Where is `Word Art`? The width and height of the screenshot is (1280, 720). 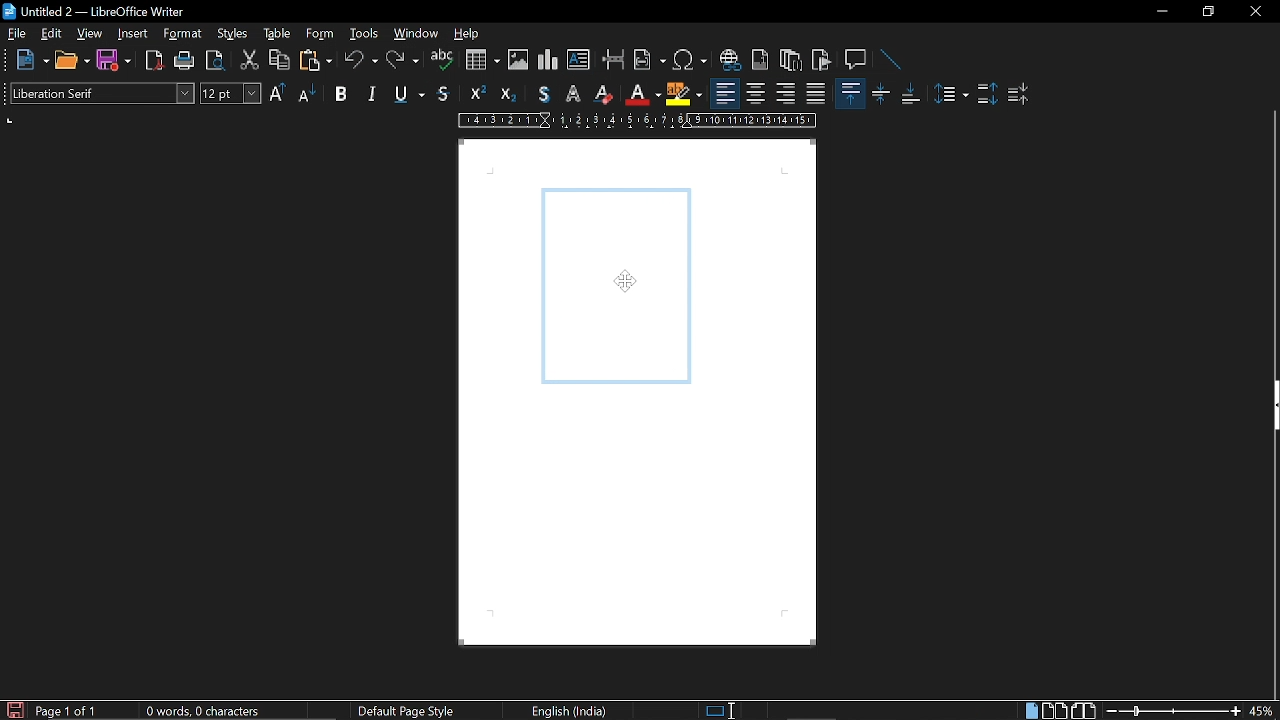 Word Art is located at coordinates (573, 94).